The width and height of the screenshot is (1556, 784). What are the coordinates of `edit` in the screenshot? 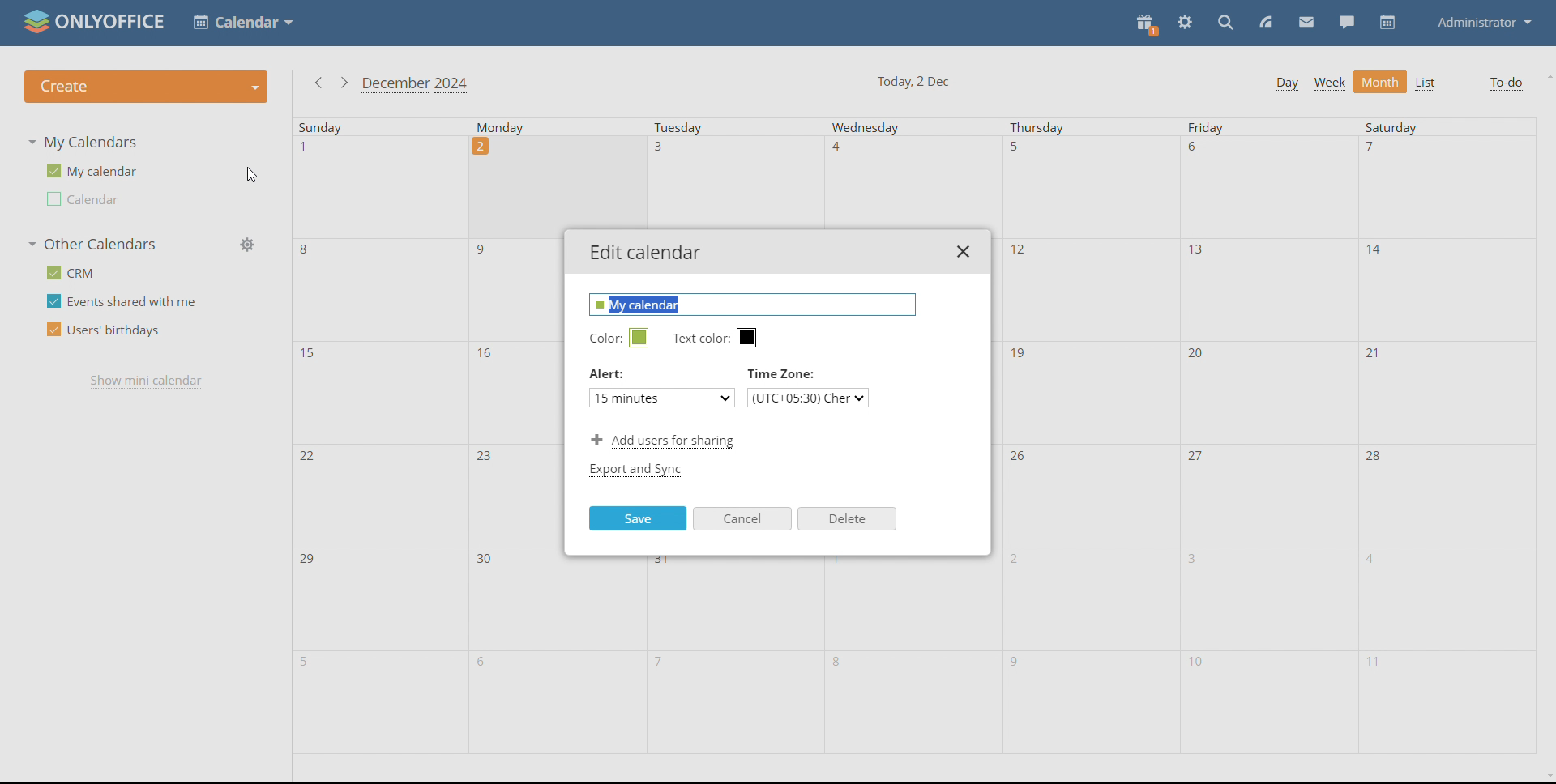 It's located at (250, 173).